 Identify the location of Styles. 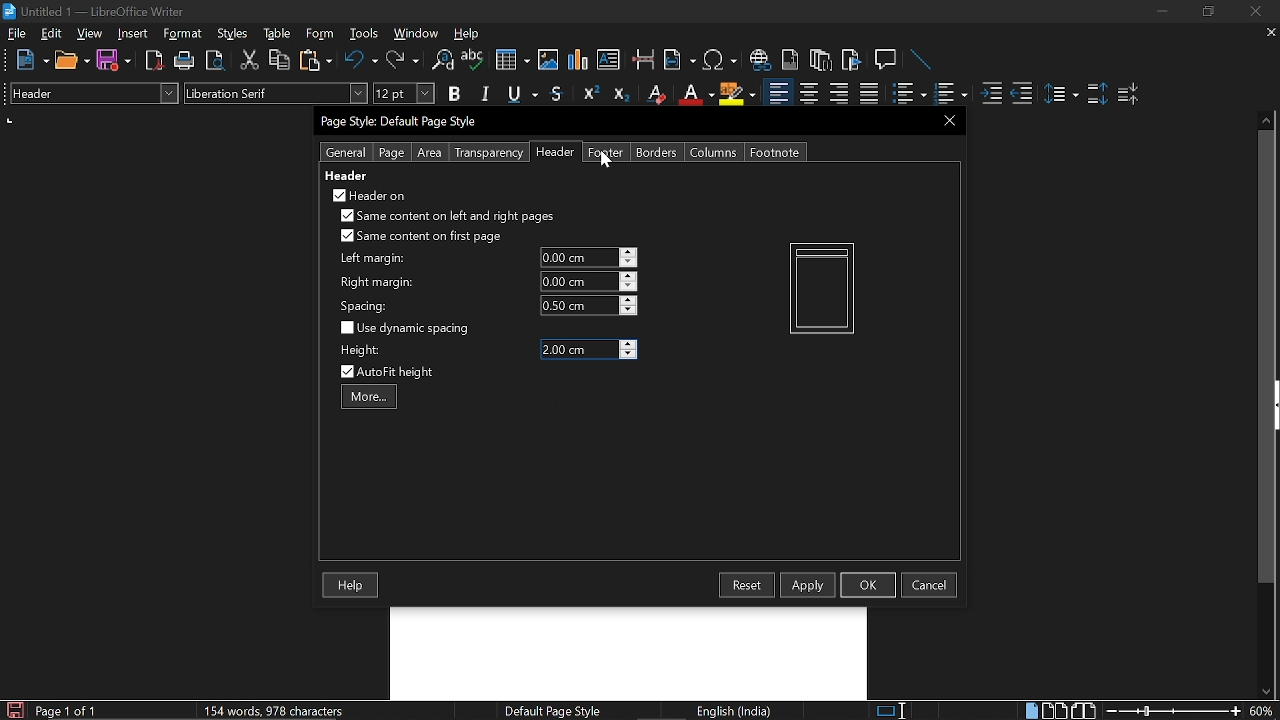
(233, 34).